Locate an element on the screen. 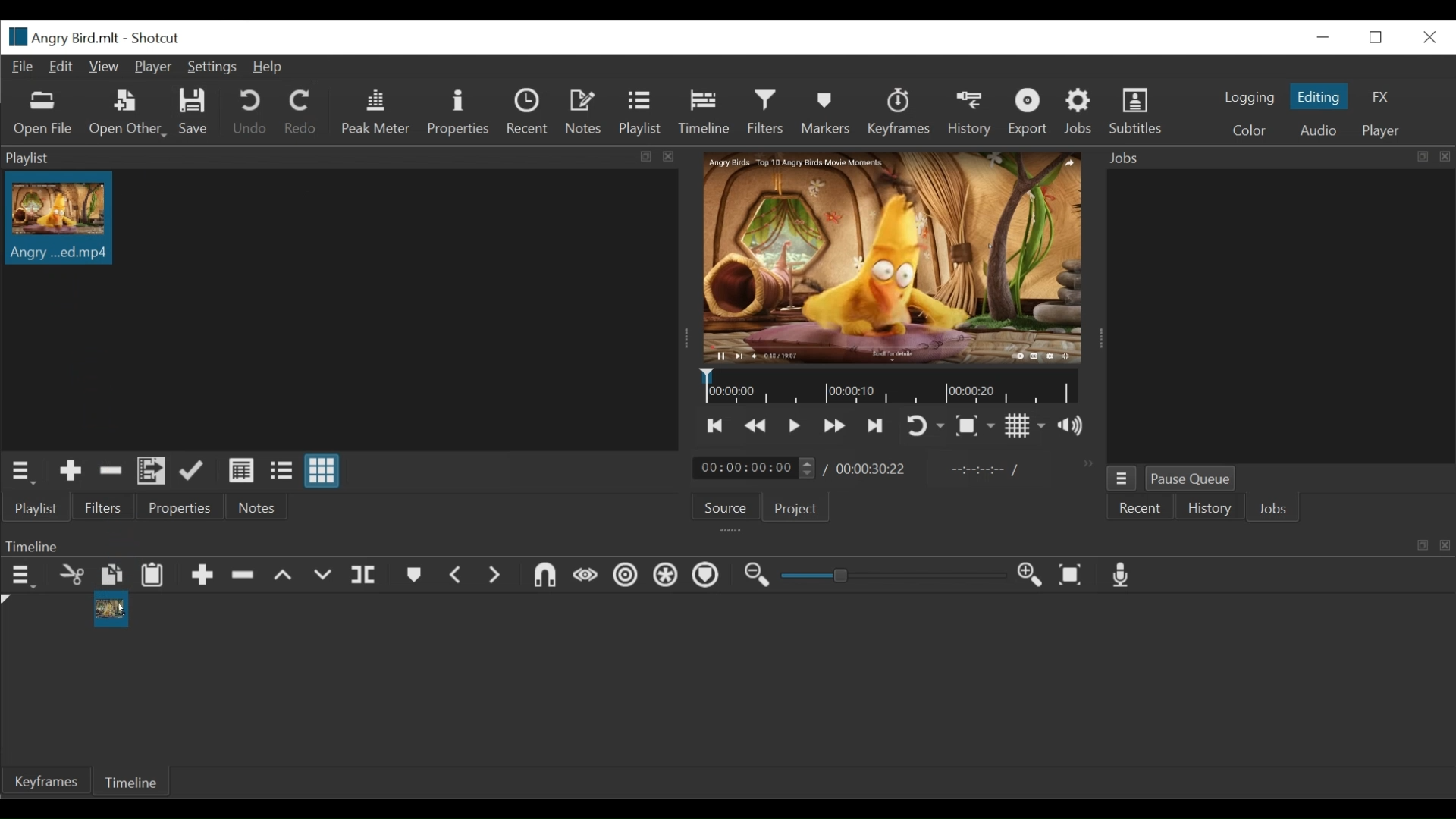  Paste is located at coordinates (152, 575).